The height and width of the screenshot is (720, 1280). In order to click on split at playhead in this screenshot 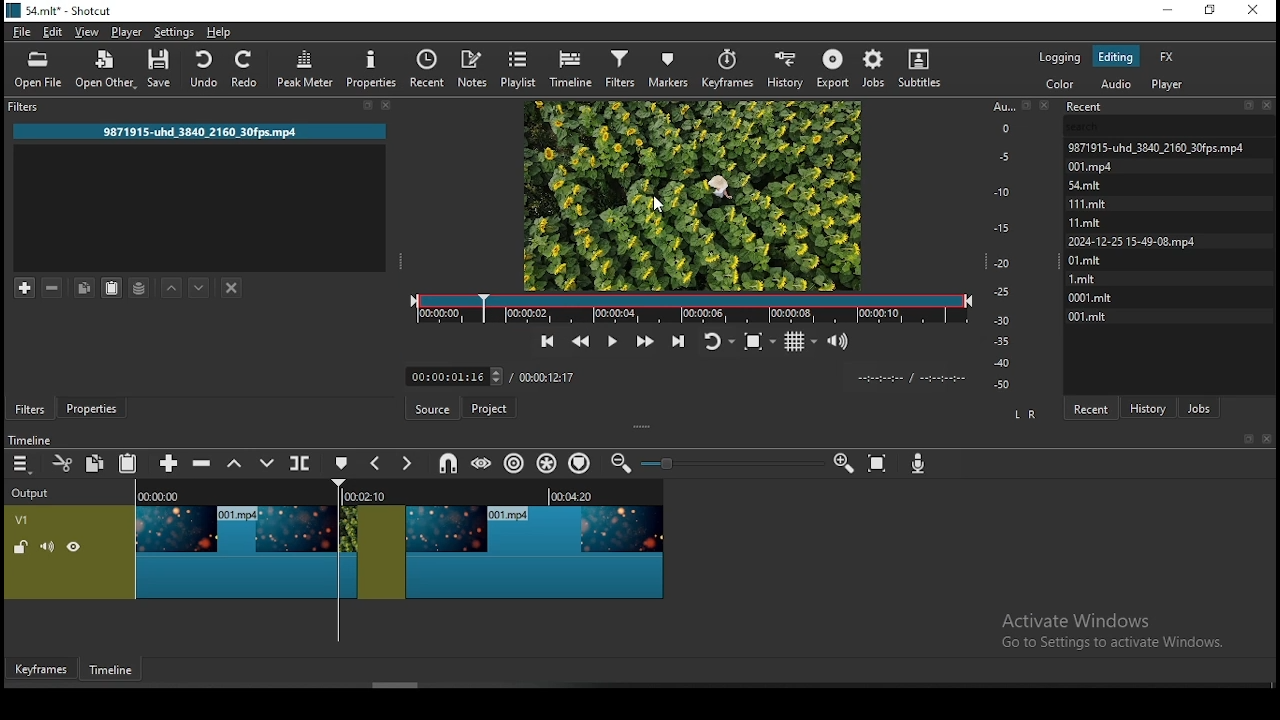, I will do `click(299, 464)`.